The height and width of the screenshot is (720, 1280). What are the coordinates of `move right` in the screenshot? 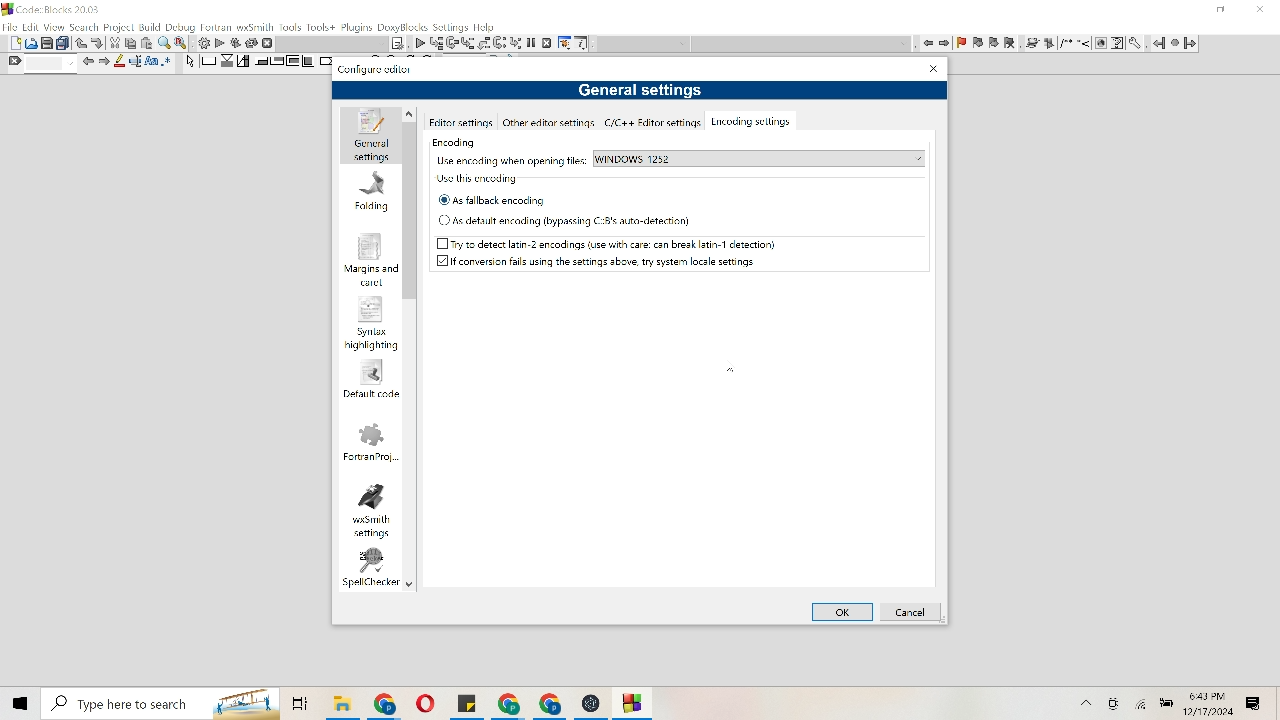 It's located at (945, 43).